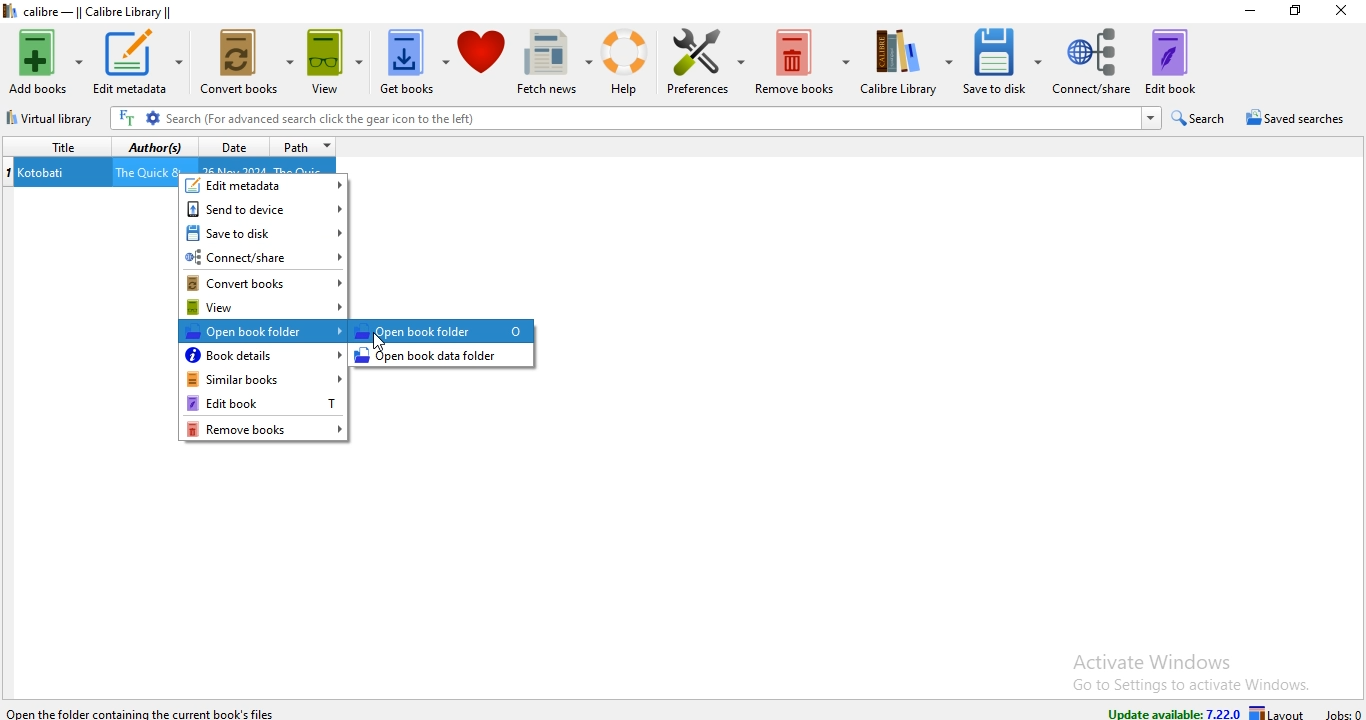  I want to click on connect/share, so click(1092, 61).